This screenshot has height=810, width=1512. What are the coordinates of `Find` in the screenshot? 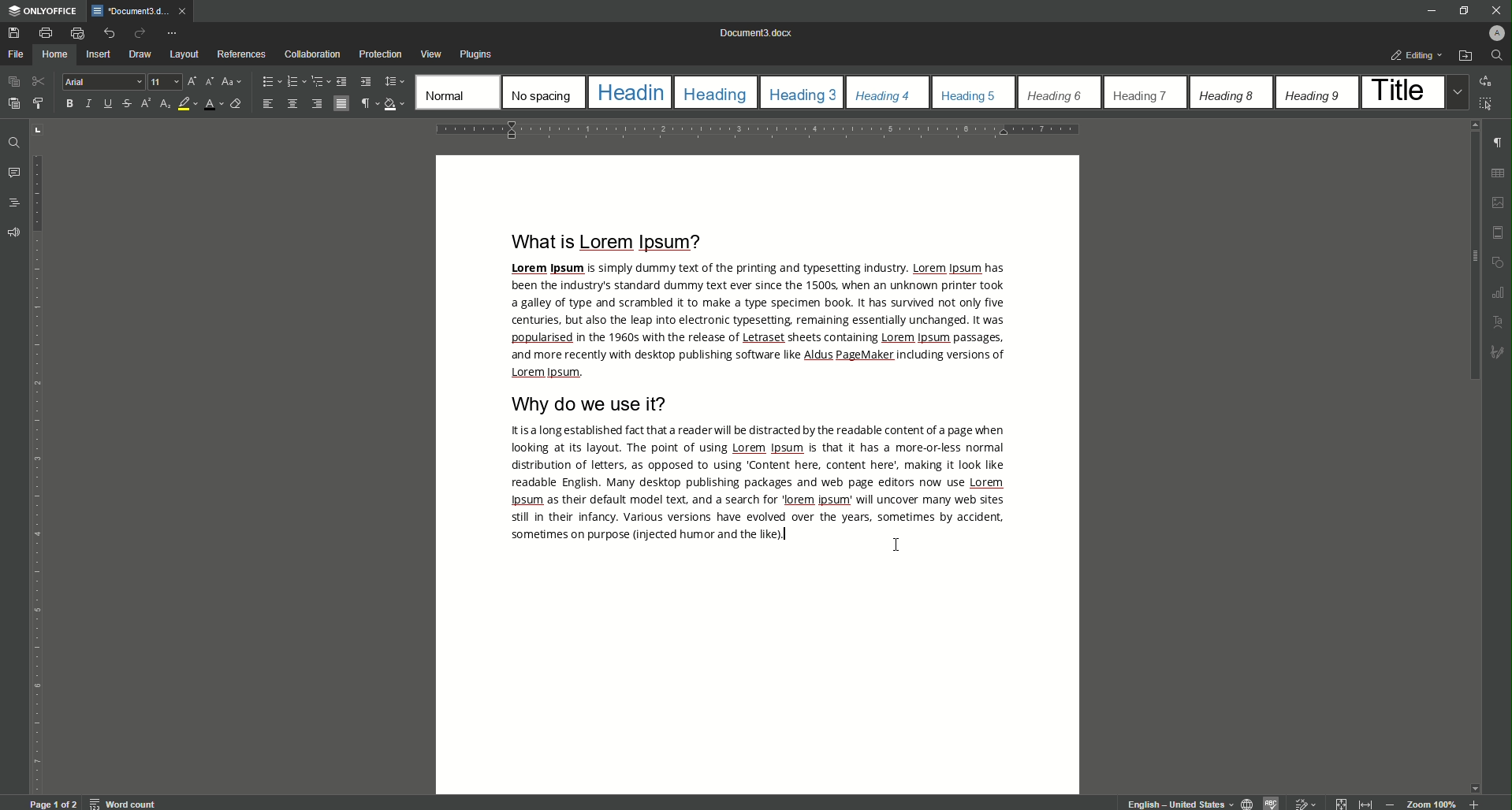 It's located at (1495, 55).